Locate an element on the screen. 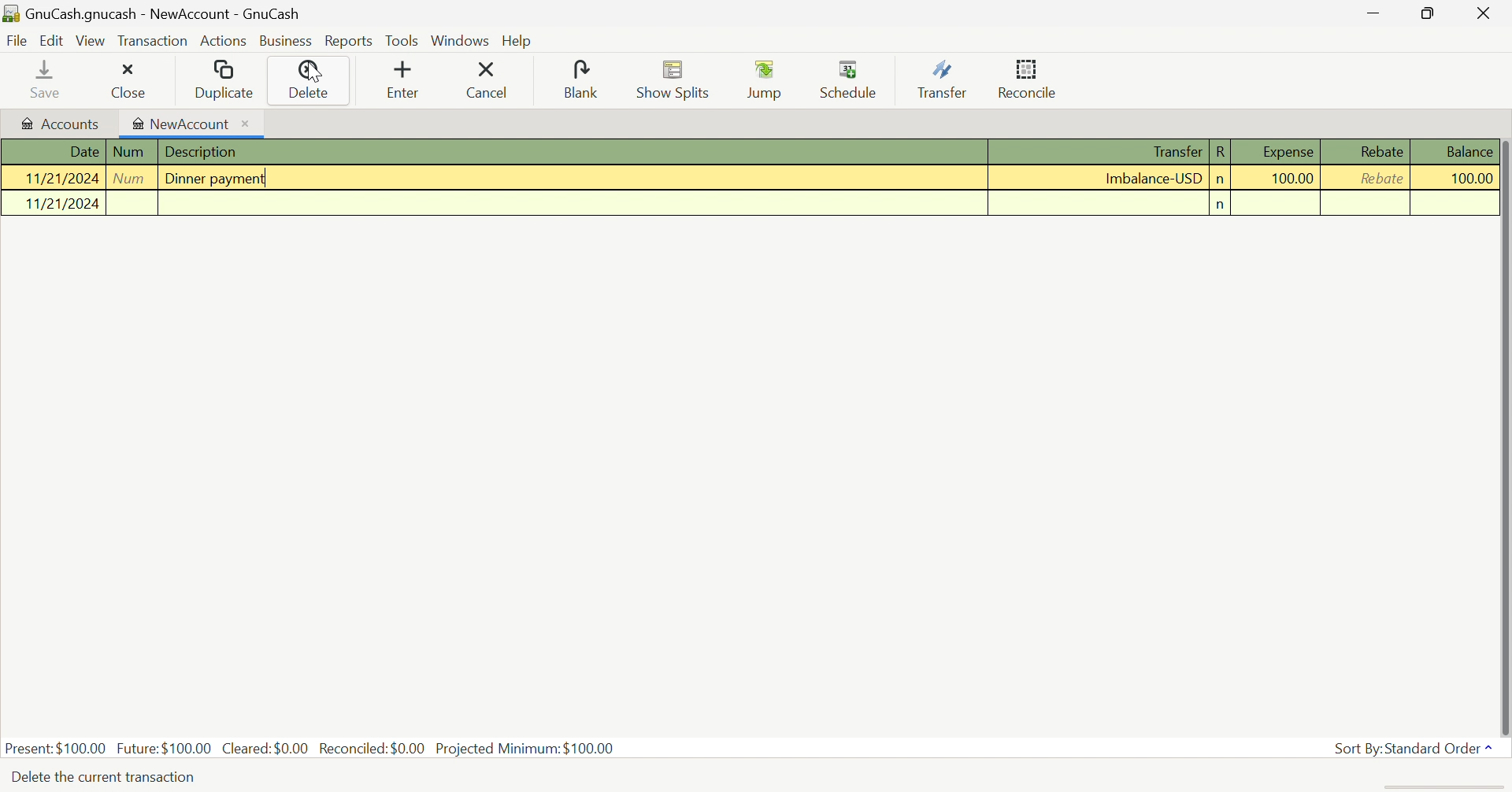 Image resolution: width=1512 pixels, height=792 pixels. Rebate is located at coordinates (1380, 152).